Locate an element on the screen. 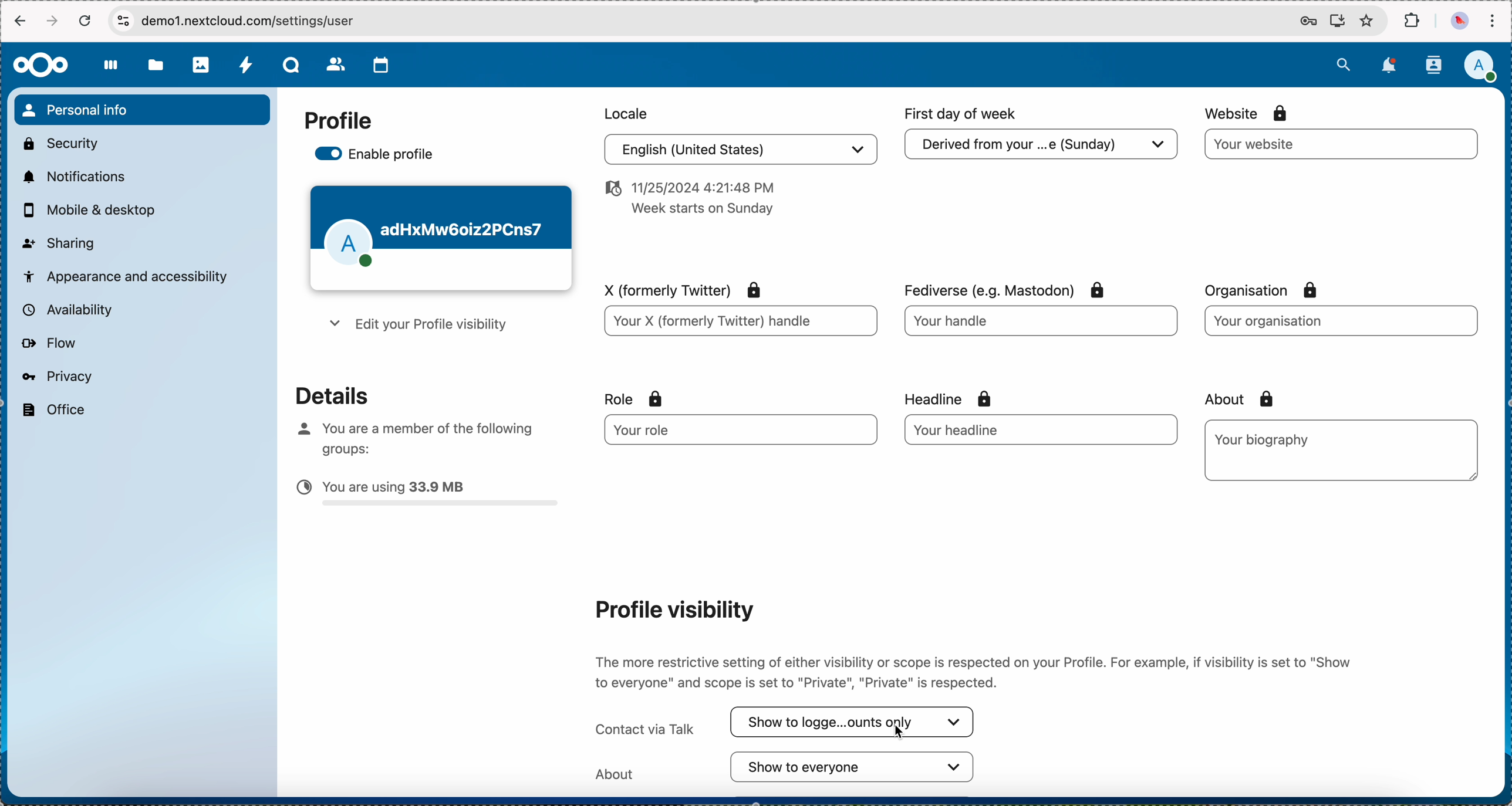 The image size is (1512, 806). dashboard is located at coordinates (112, 72).